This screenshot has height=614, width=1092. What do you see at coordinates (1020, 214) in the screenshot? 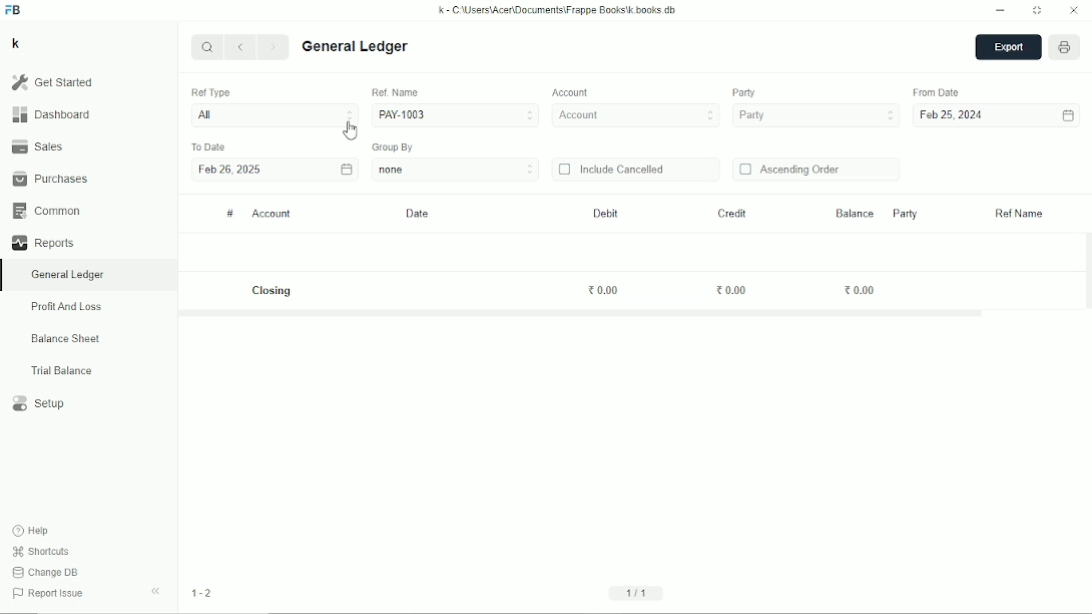
I see `Ref name` at bounding box center [1020, 214].